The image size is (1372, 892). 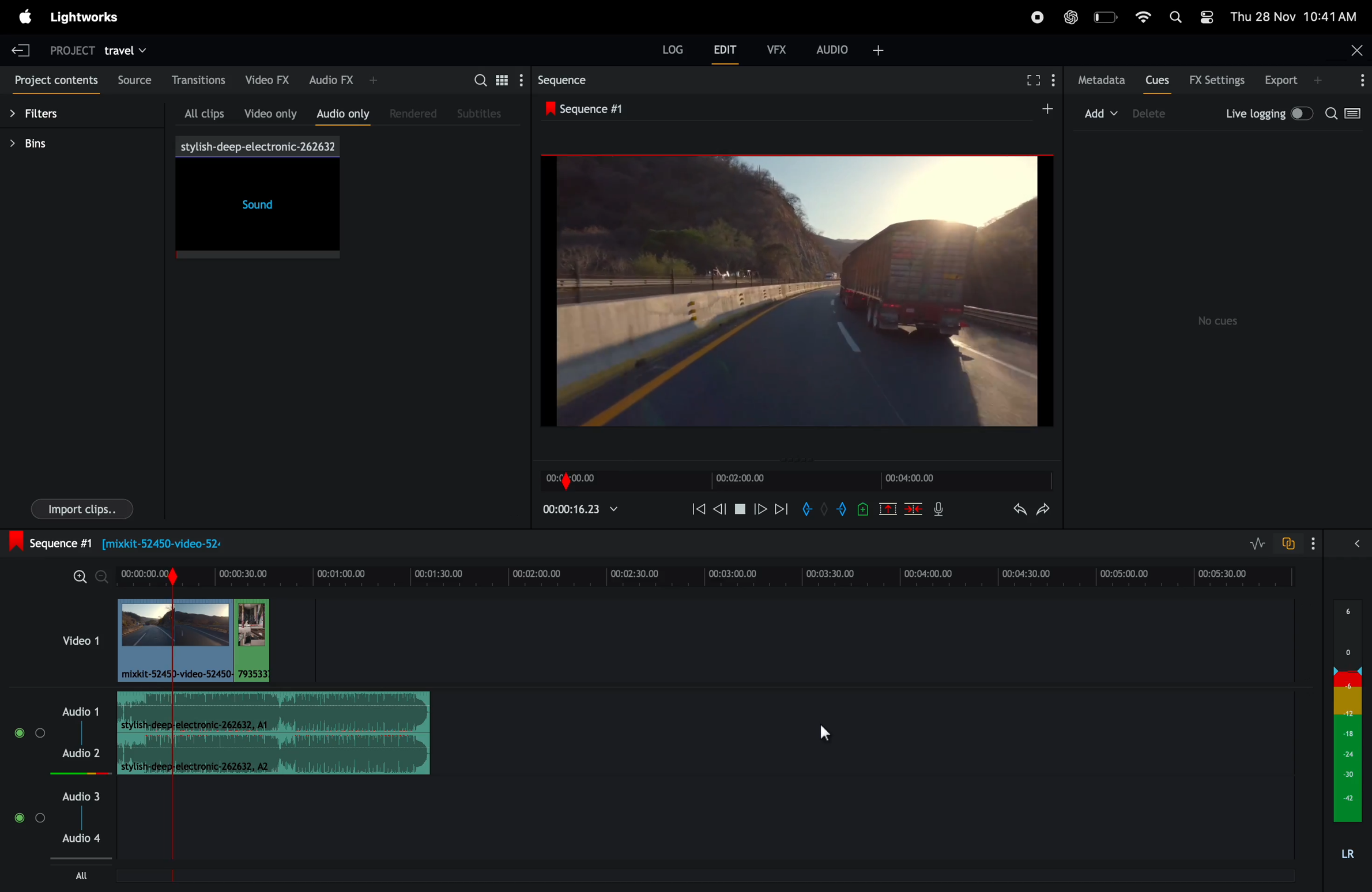 I want to click on live logging, so click(x=1266, y=116).